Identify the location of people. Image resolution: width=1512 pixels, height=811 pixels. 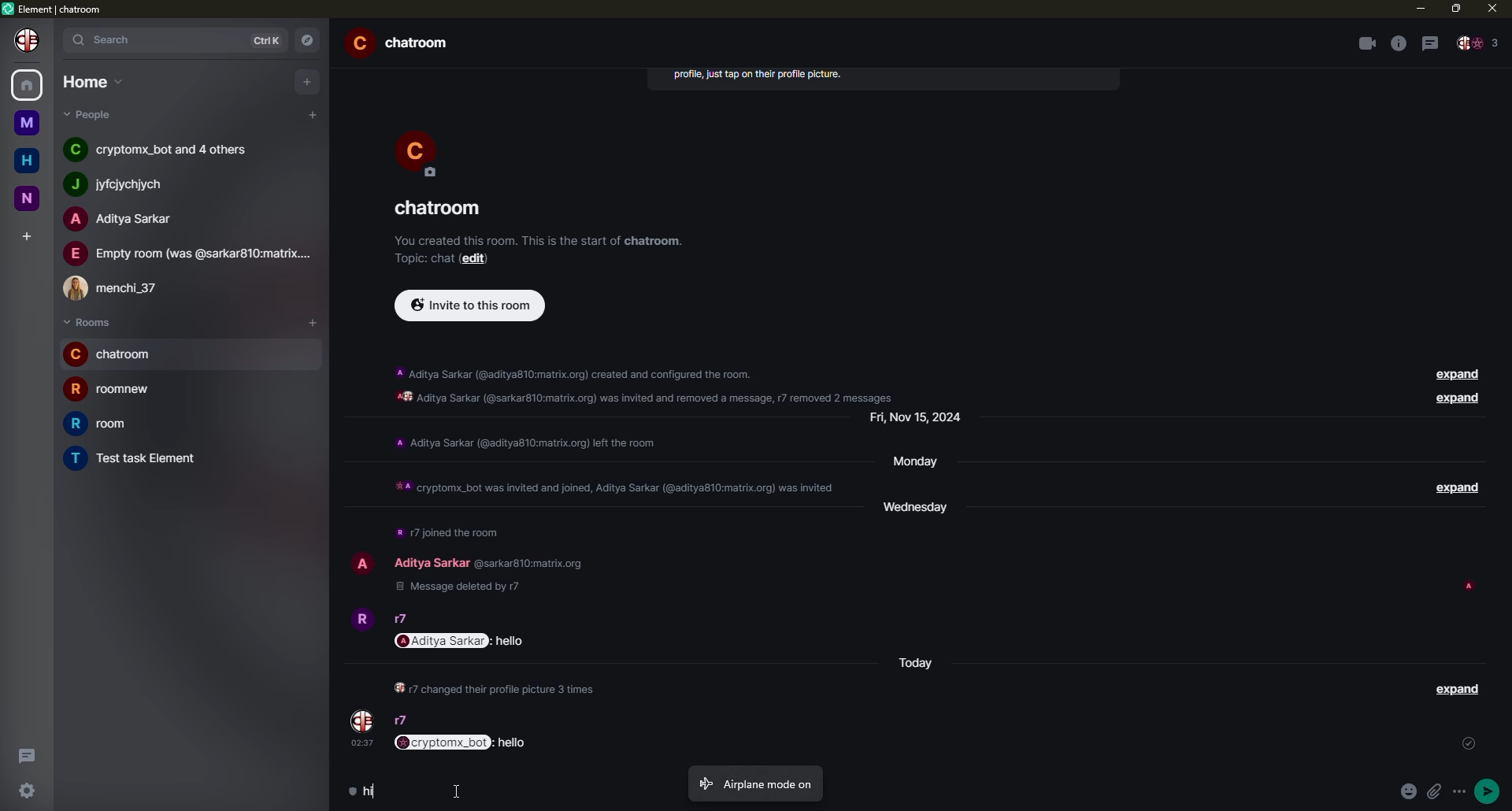
(435, 561).